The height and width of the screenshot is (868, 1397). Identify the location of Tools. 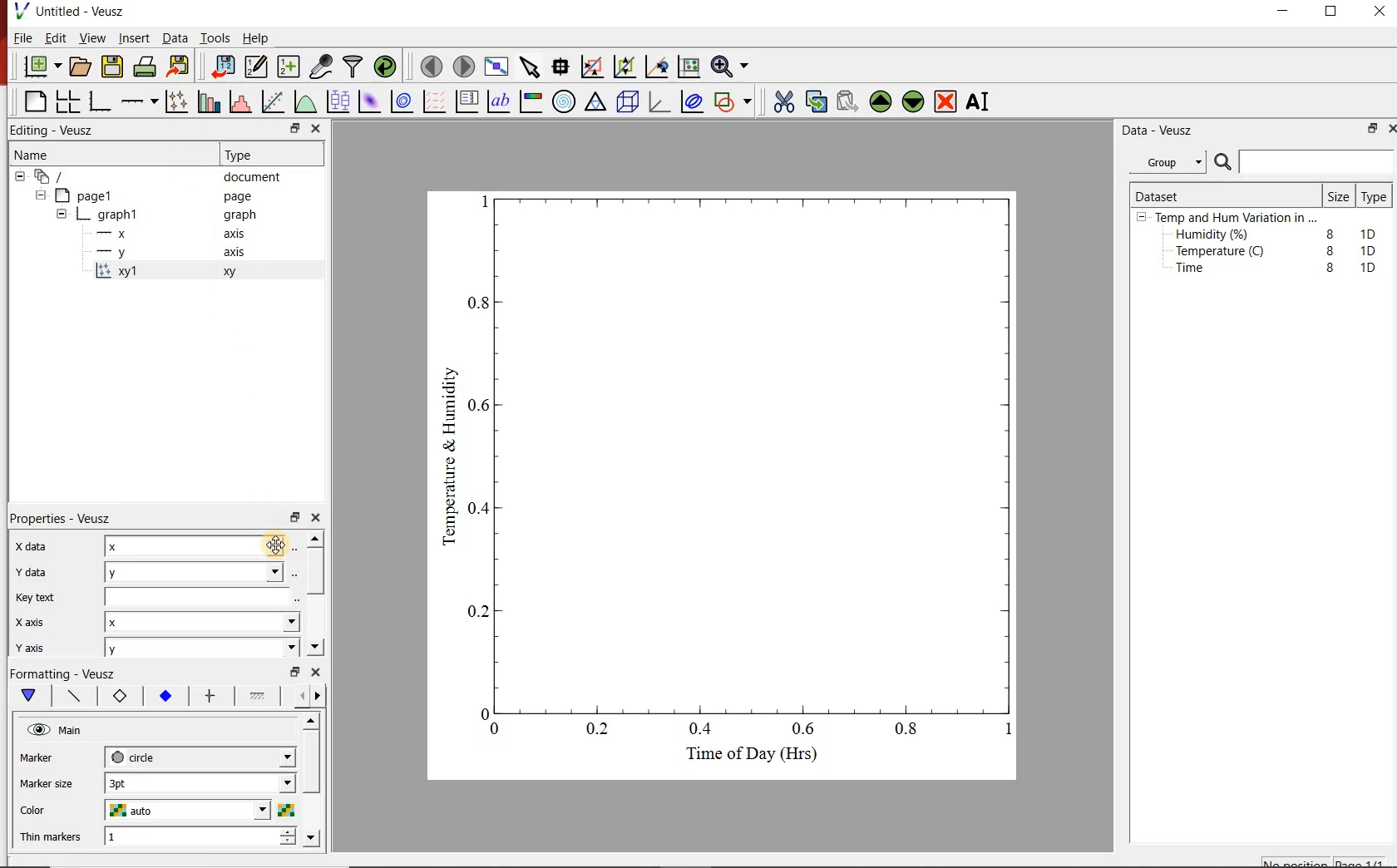
(214, 38).